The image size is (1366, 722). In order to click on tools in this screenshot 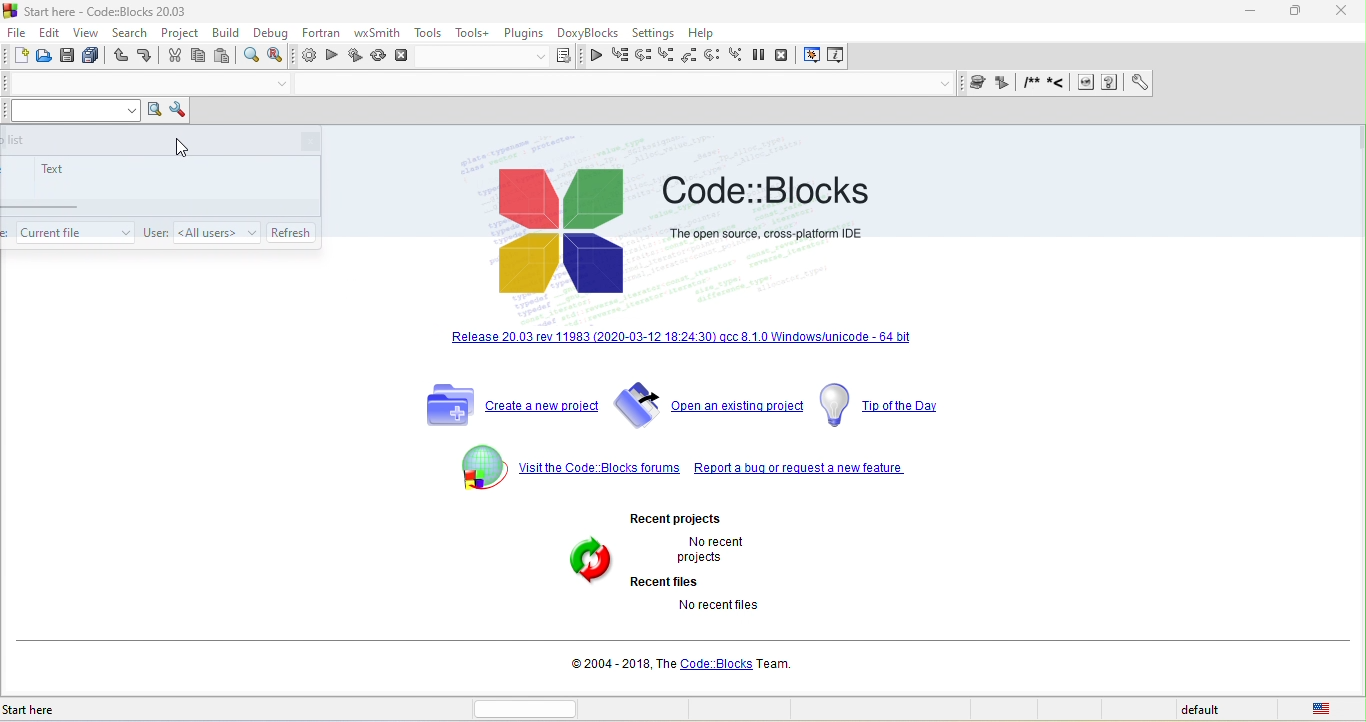, I will do `click(428, 33)`.